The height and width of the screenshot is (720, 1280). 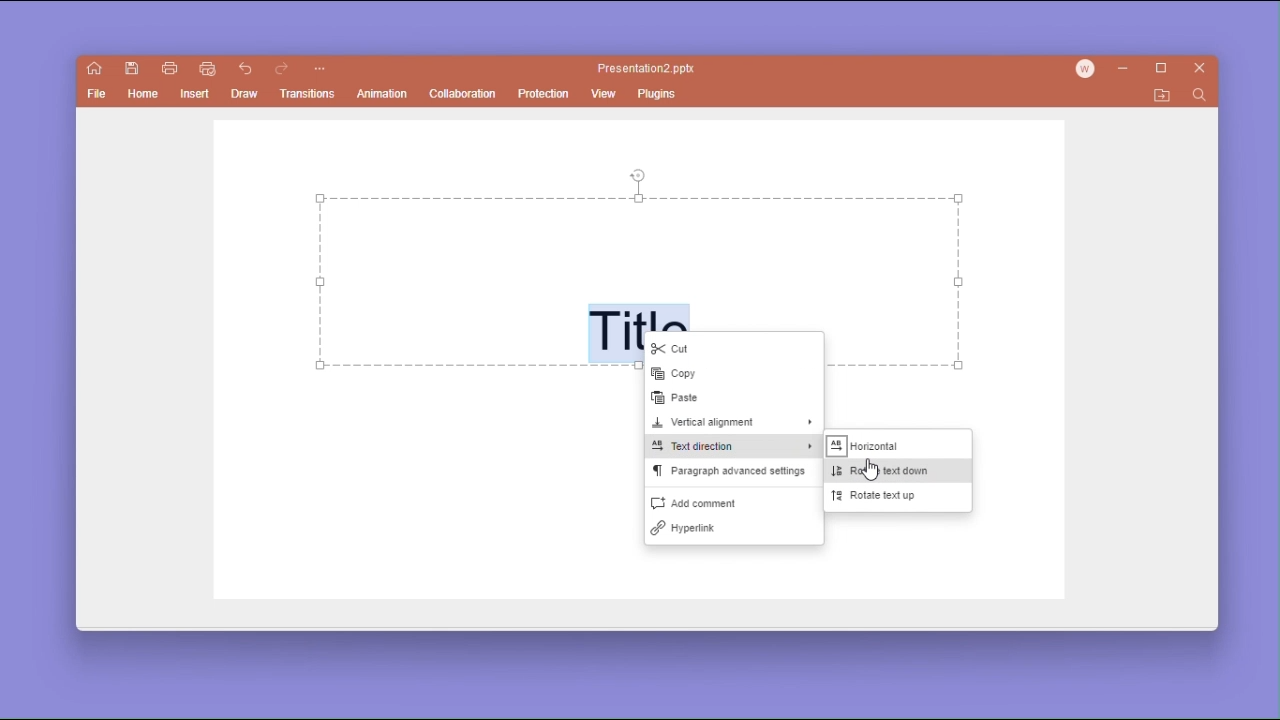 What do you see at coordinates (1127, 70) in the screenshot?
I see `minimize` at bounding box center [1127, 70].